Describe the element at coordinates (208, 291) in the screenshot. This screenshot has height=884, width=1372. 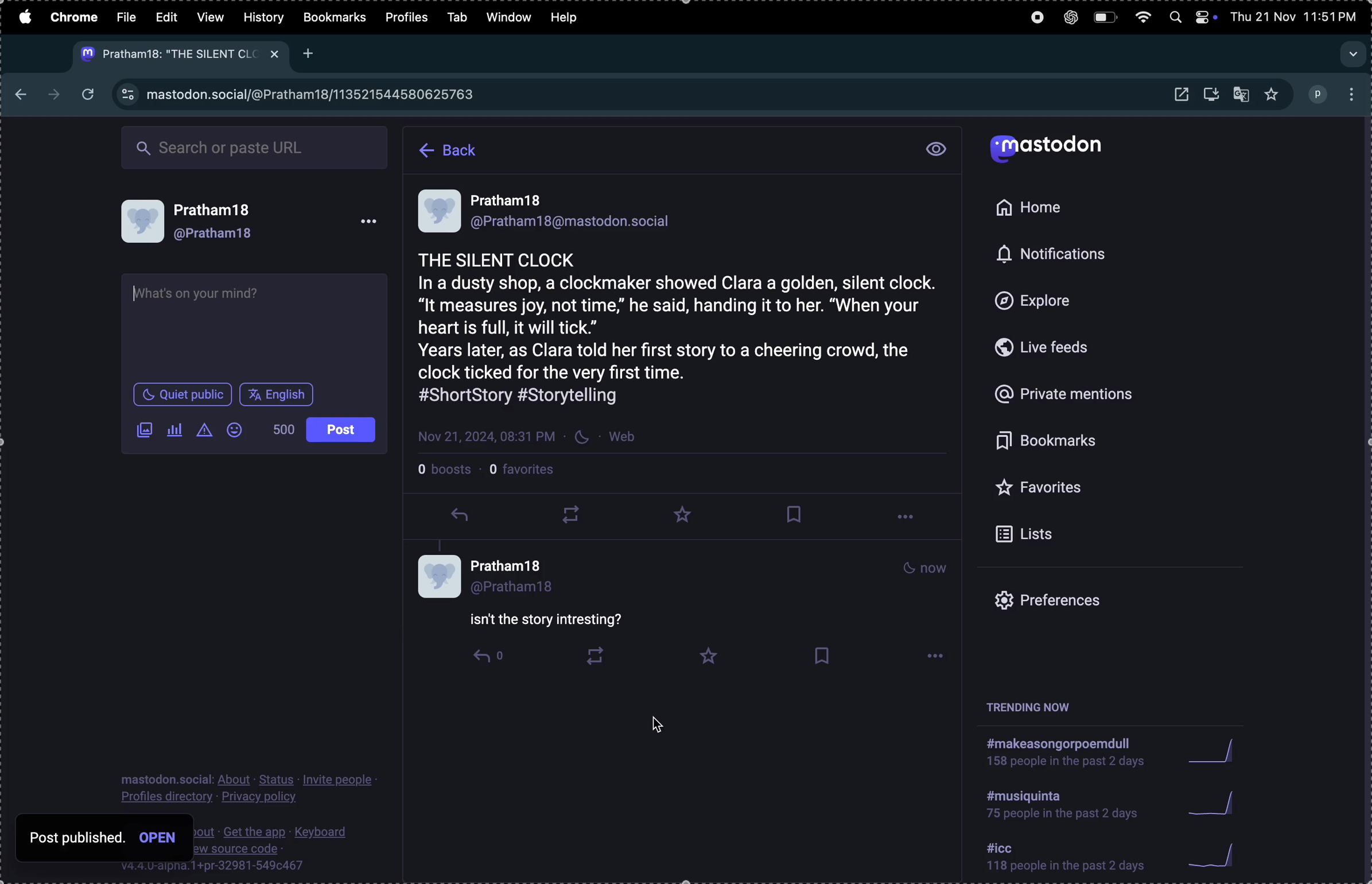
I see `content` at that location.